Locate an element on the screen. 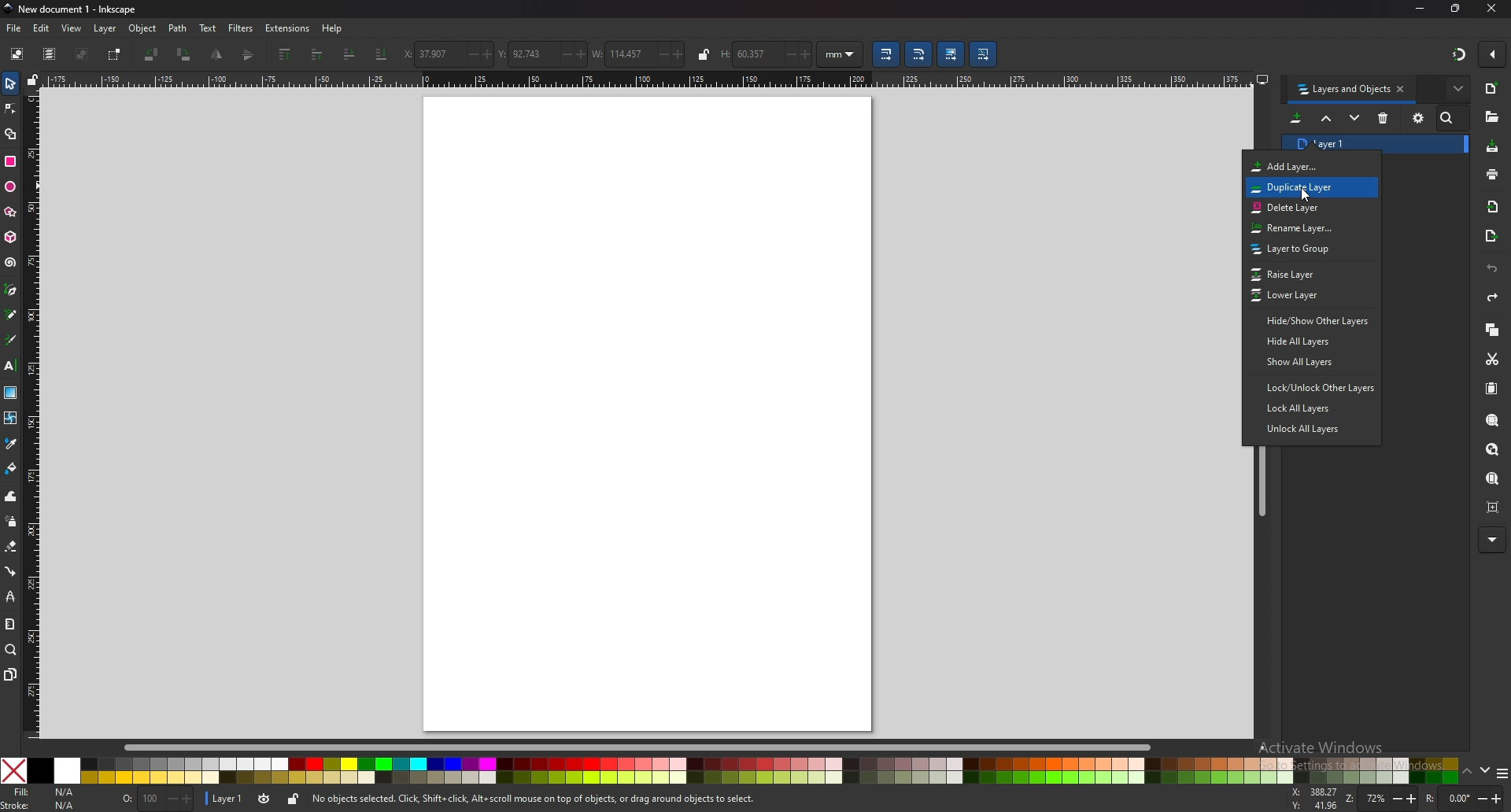  rotate is located at coordinates (1464, 798).